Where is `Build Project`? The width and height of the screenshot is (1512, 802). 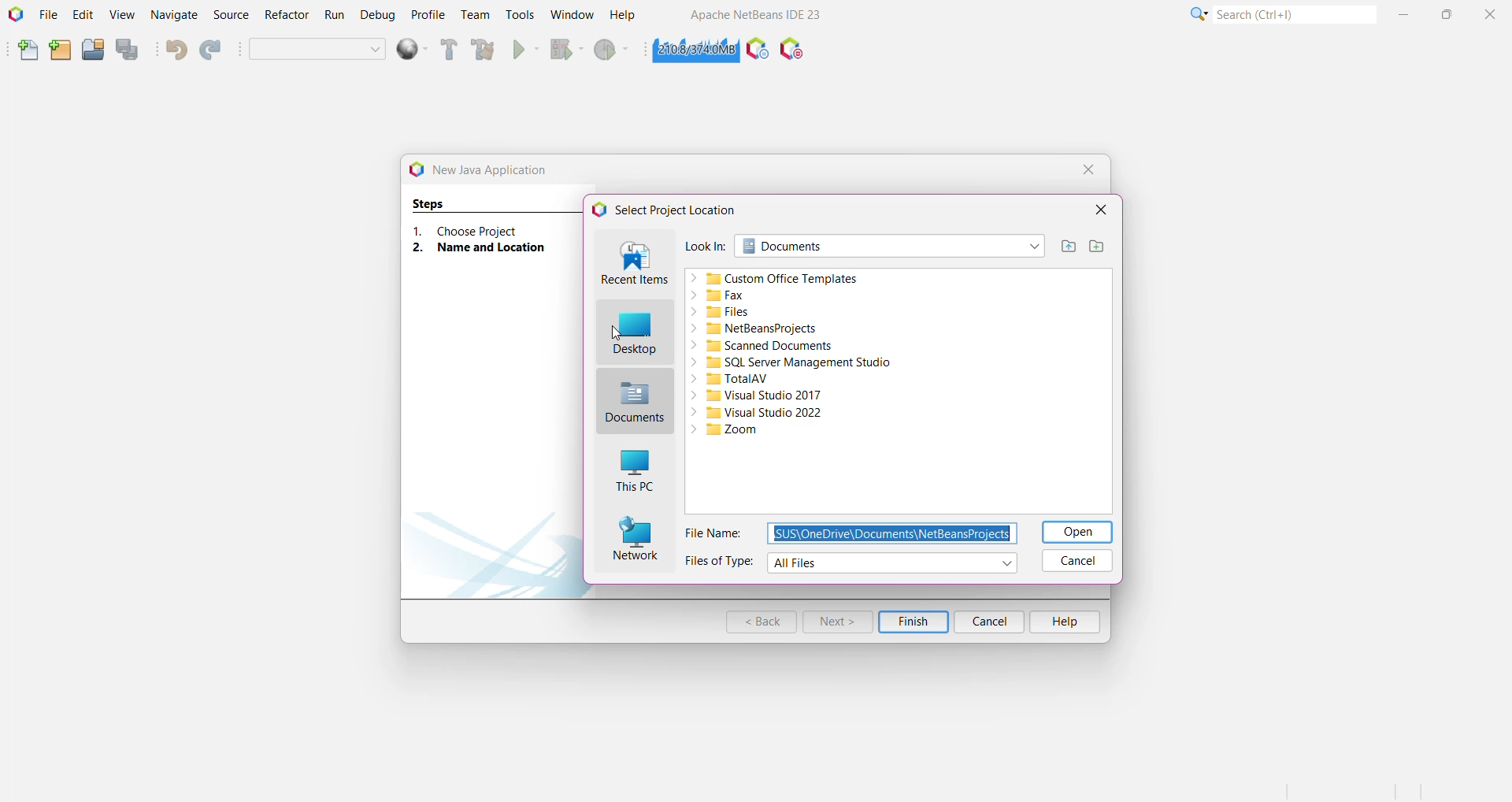 Build Project is located at coordinates (447, 51).